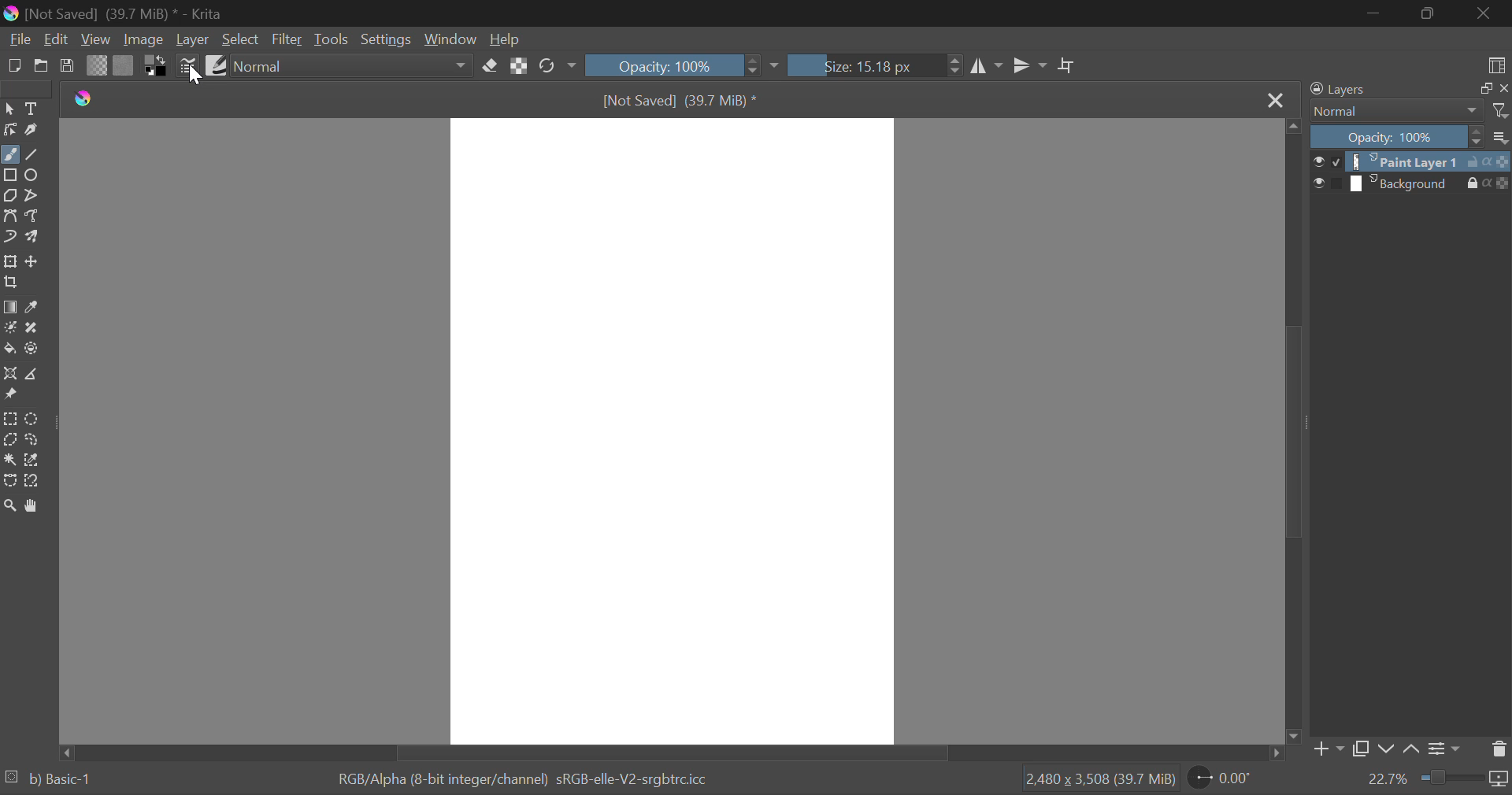 This screenshot has height=795, width=1512. I want to click on Copy Layer, so click(1362, 749).